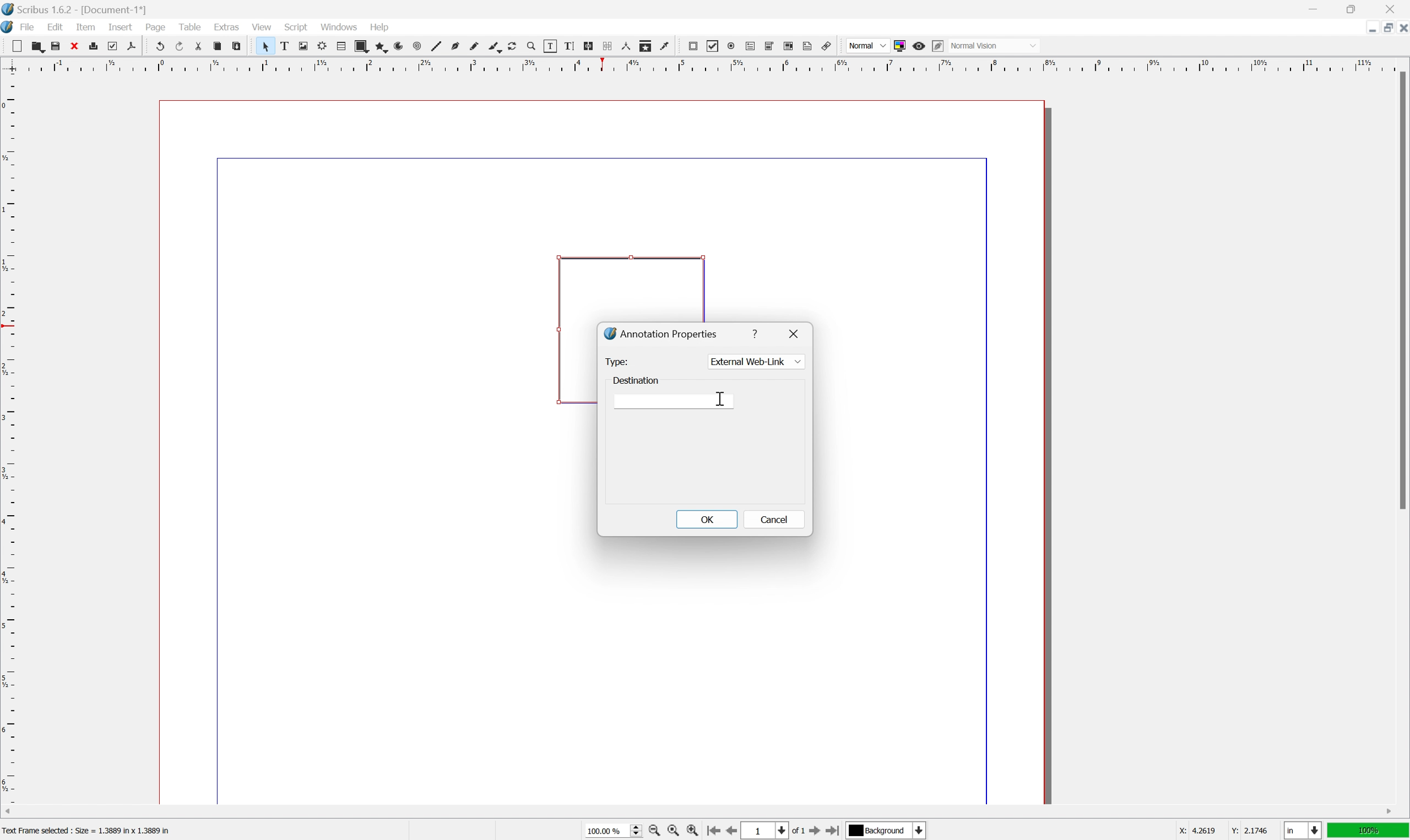  What do you see at coordinates (399, 46) in the screenshot?
I see `arc` at bounding box center [399, 46].